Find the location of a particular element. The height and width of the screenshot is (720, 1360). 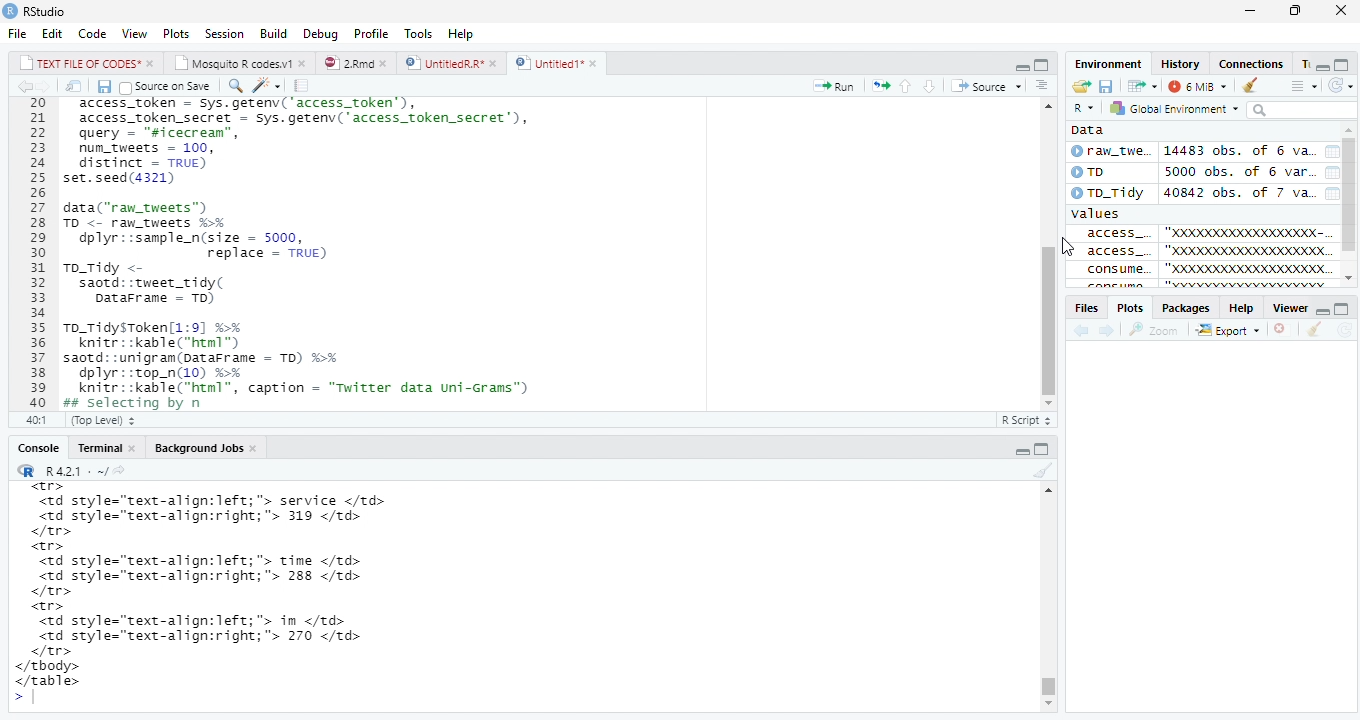

up/down source is located at coordinates (929, 85).